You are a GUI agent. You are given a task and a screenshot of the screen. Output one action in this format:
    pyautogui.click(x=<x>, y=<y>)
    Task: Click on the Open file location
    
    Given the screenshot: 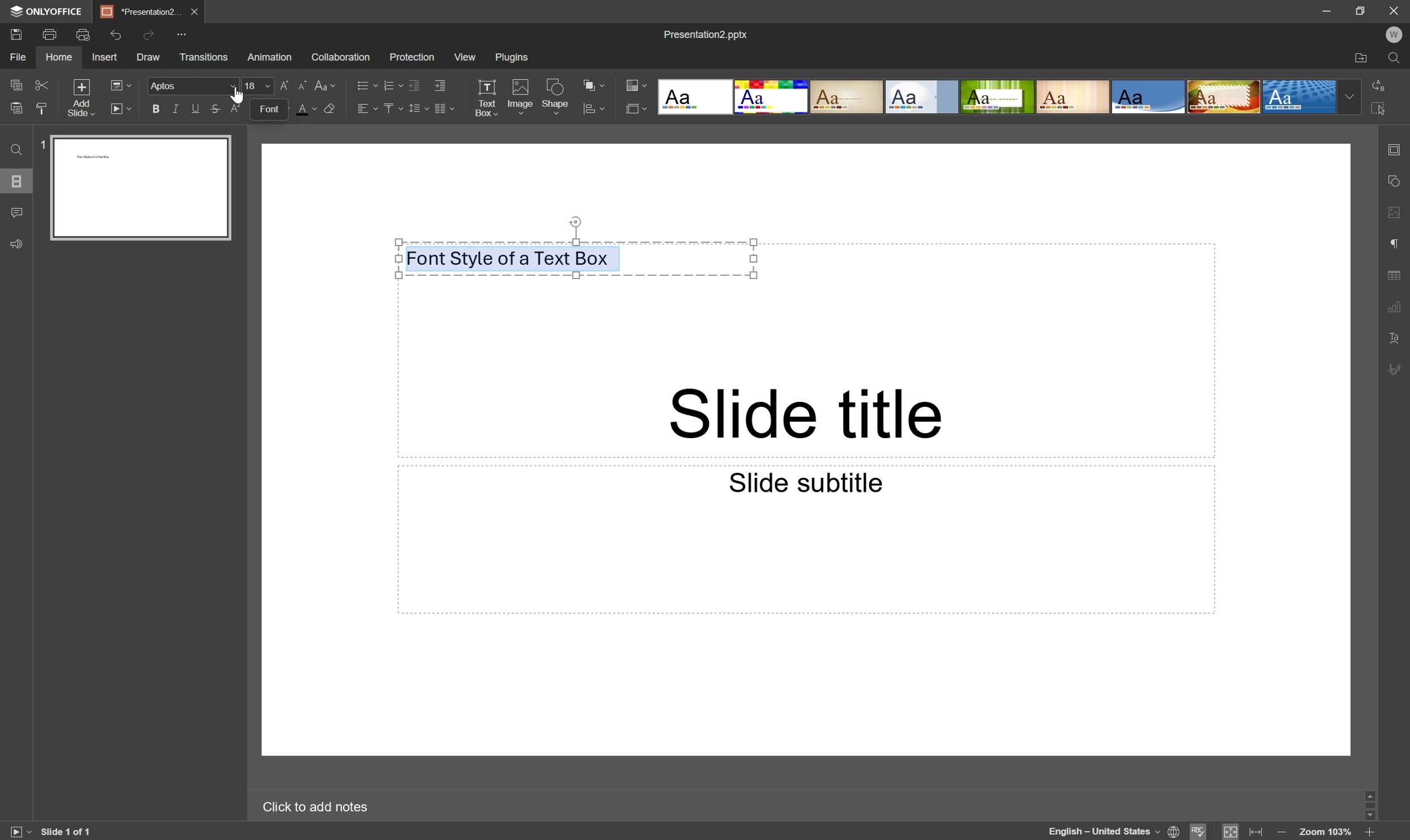 What is the action you would take?
    pyautogui.click(x=1364, y=57)
    